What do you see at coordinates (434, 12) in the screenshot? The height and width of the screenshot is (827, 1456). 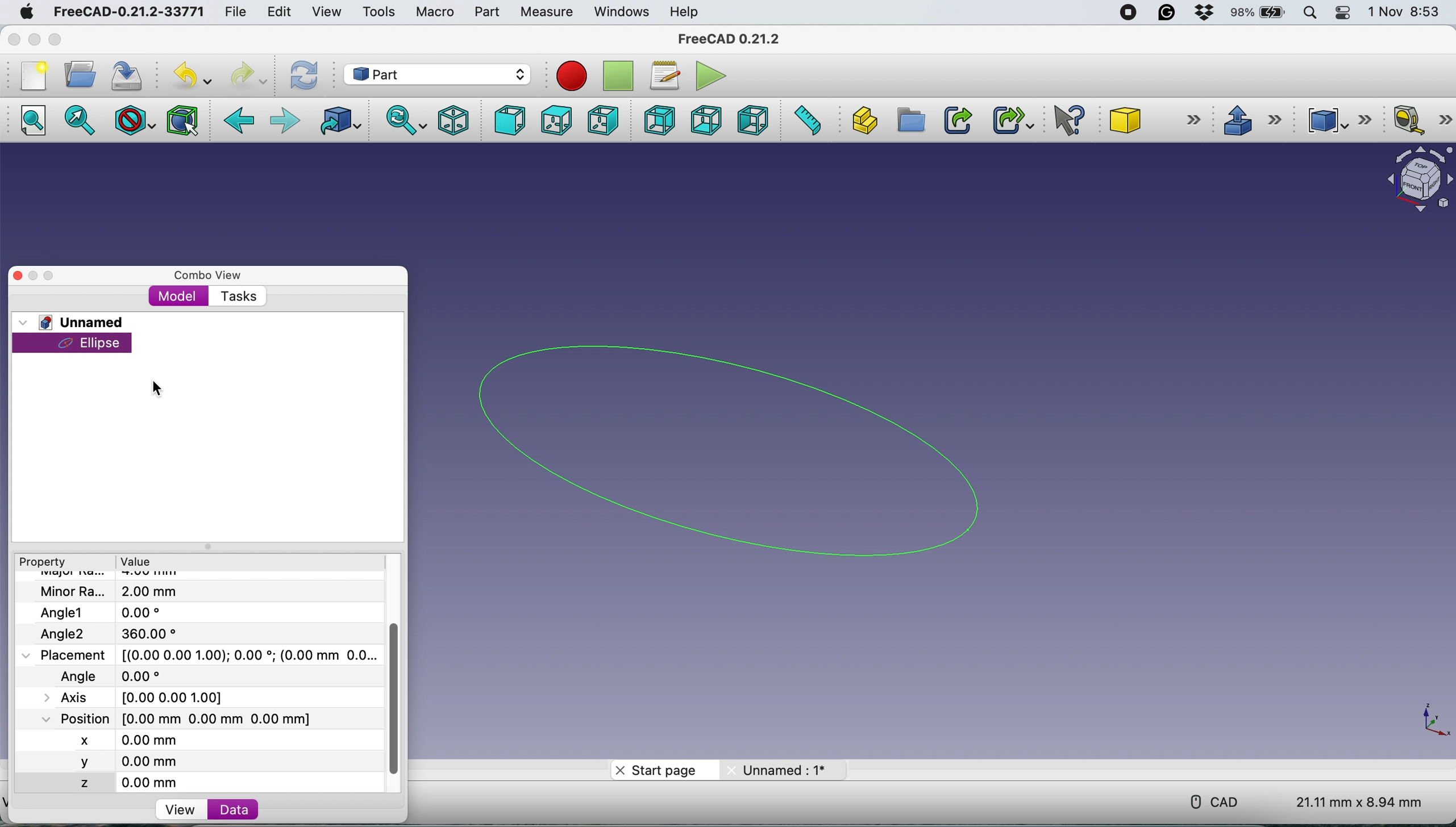 I see `macro` at bounding box center [434, 12].